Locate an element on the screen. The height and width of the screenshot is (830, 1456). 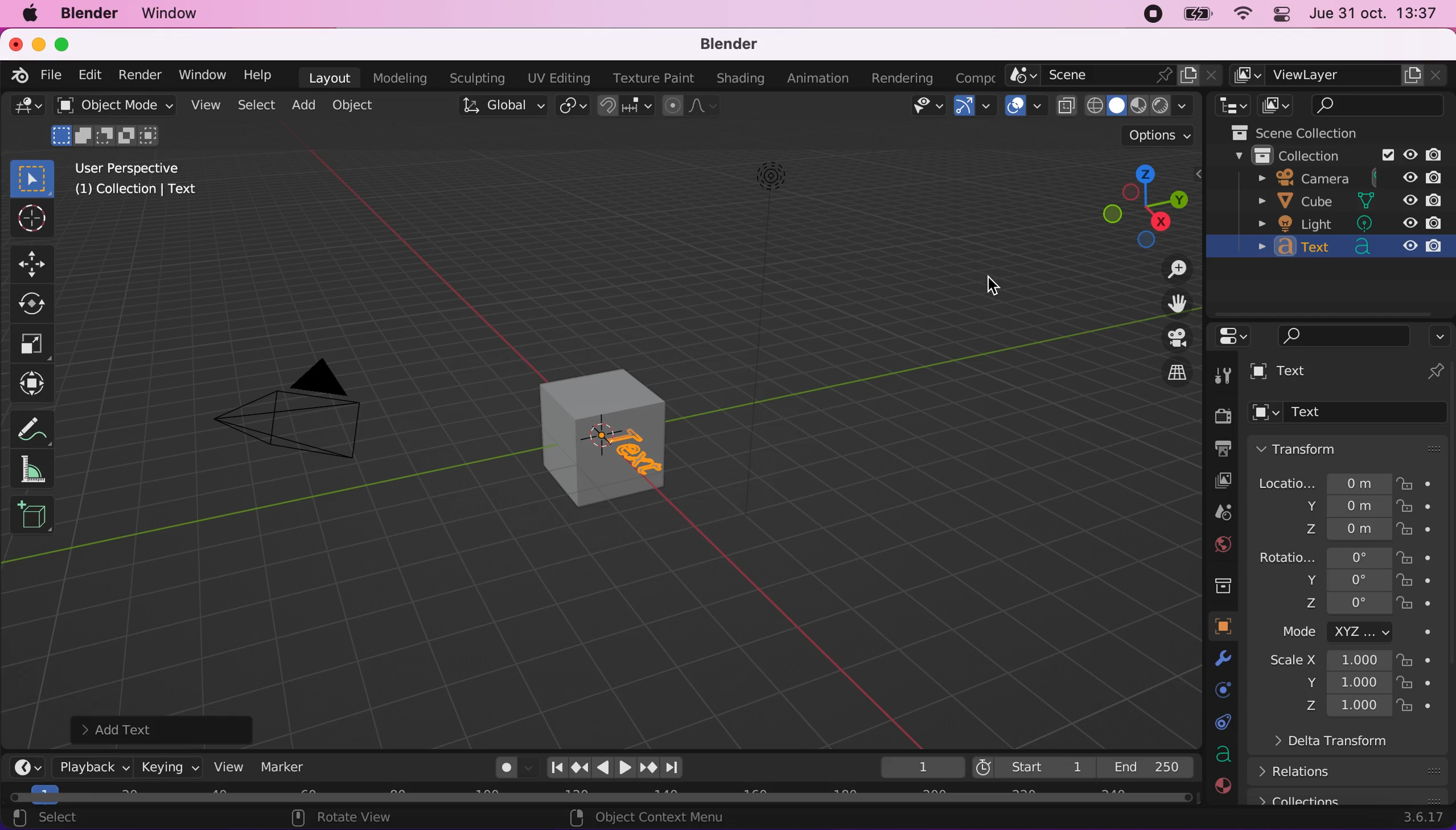
maximize is located at coordinates (69, 43).